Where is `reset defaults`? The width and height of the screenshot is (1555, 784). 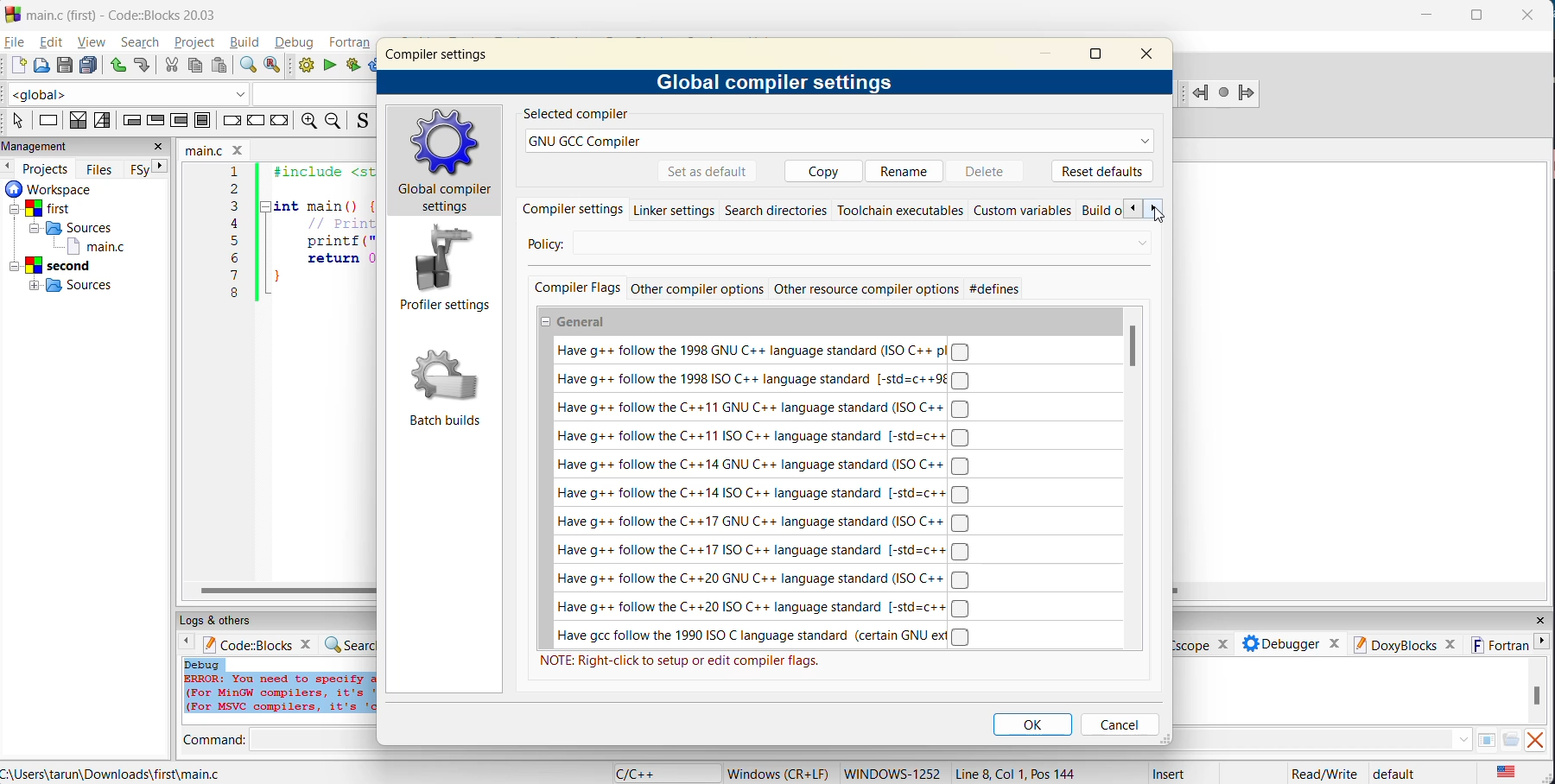
reset defaults is located at coordinates (1101, 172).